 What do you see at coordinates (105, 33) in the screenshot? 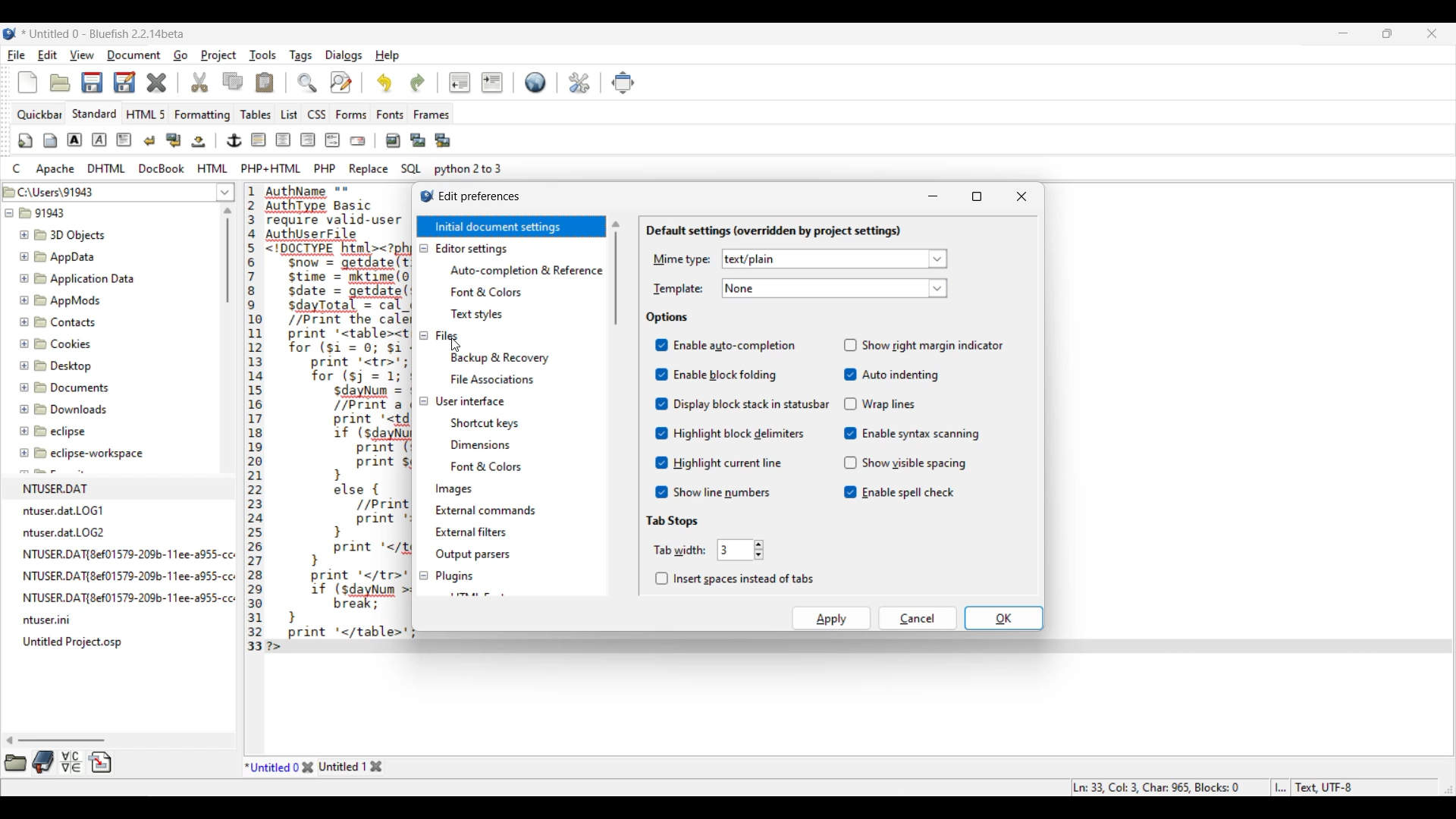
I see `Project name, software name and version` at bounding box center [105, 33].